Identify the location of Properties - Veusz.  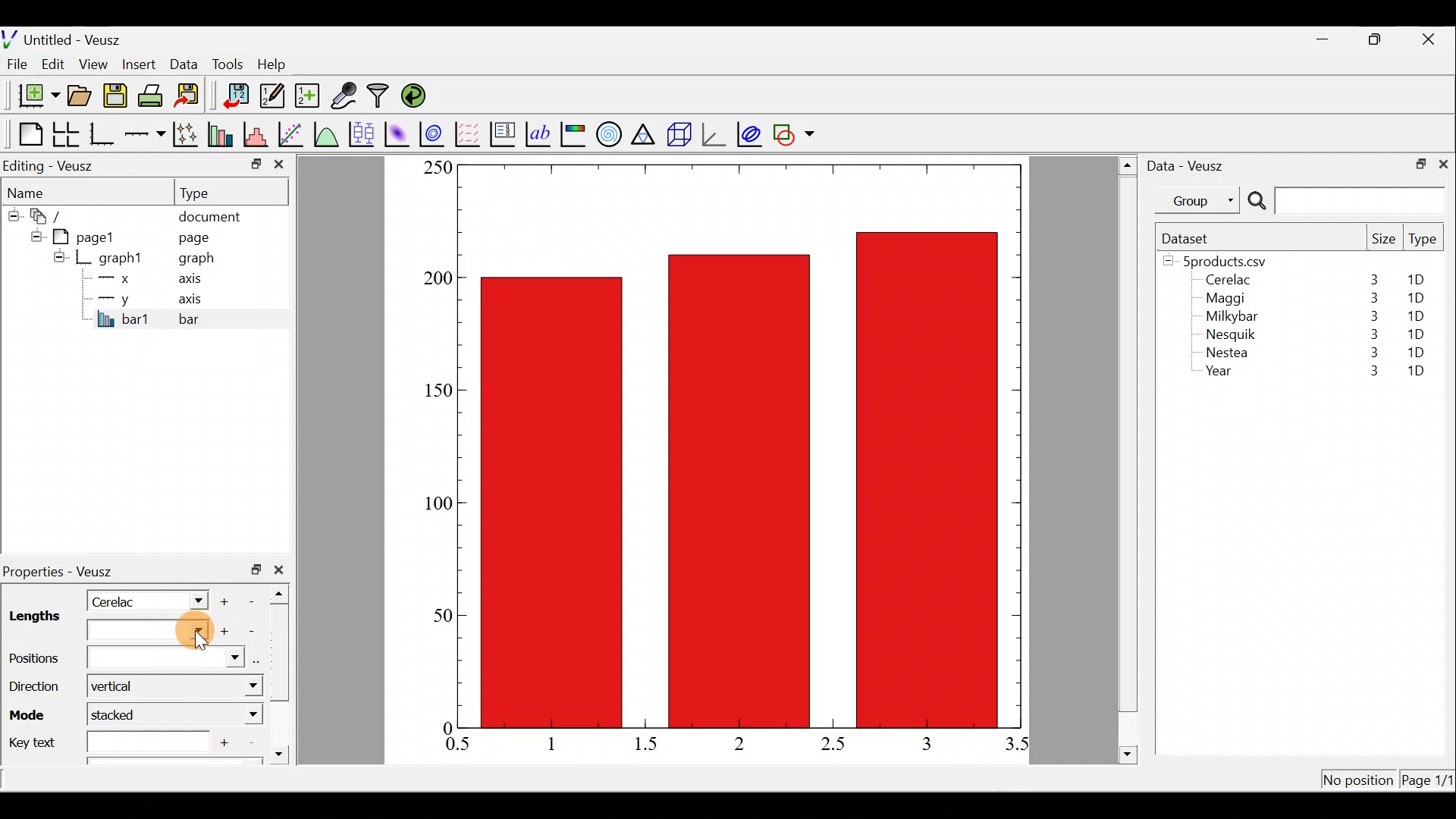
(64, 572).